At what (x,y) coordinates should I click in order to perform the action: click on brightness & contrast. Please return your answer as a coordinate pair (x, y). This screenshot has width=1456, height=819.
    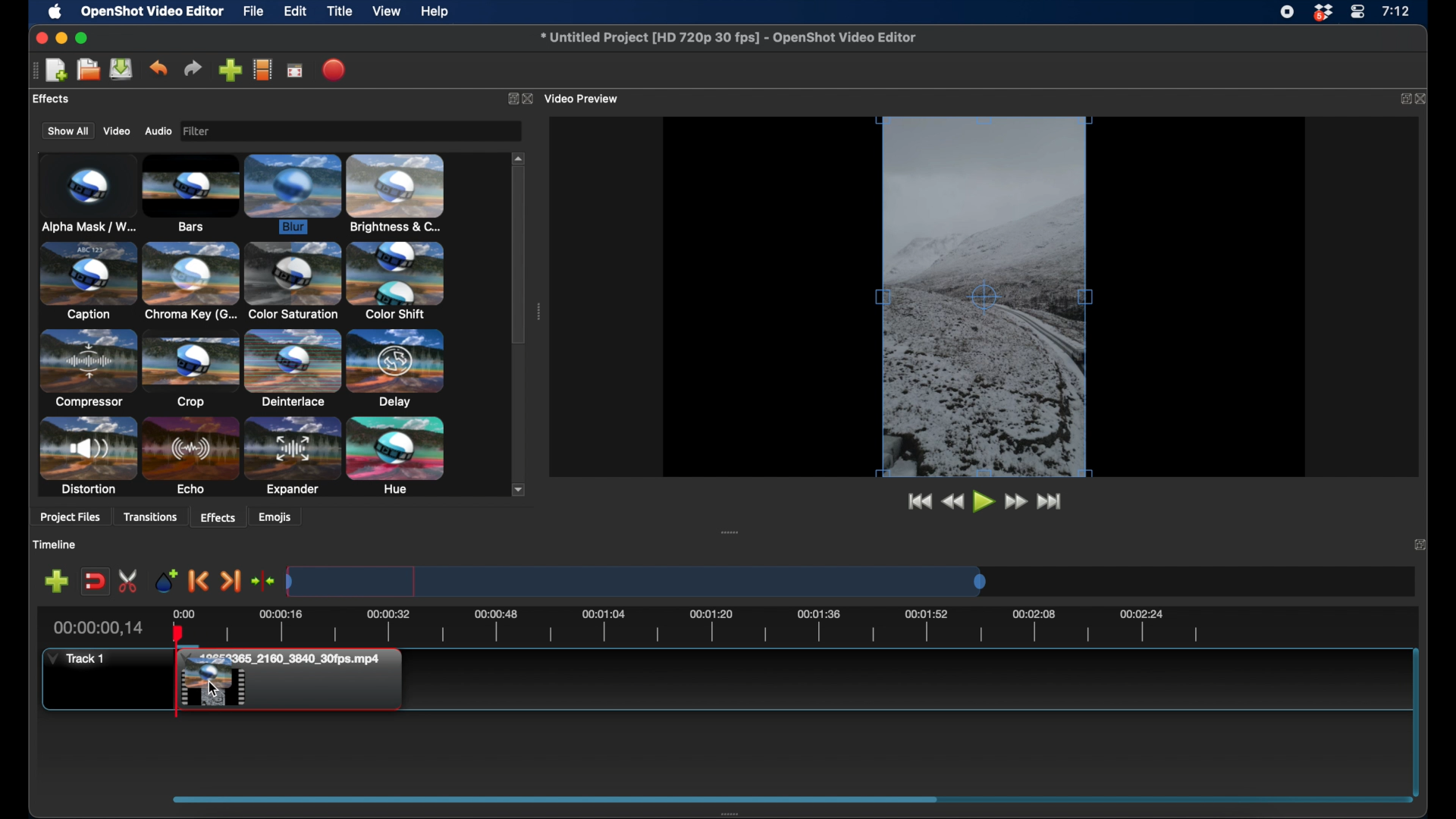
    Looking at the image, I should click on (396, 193).